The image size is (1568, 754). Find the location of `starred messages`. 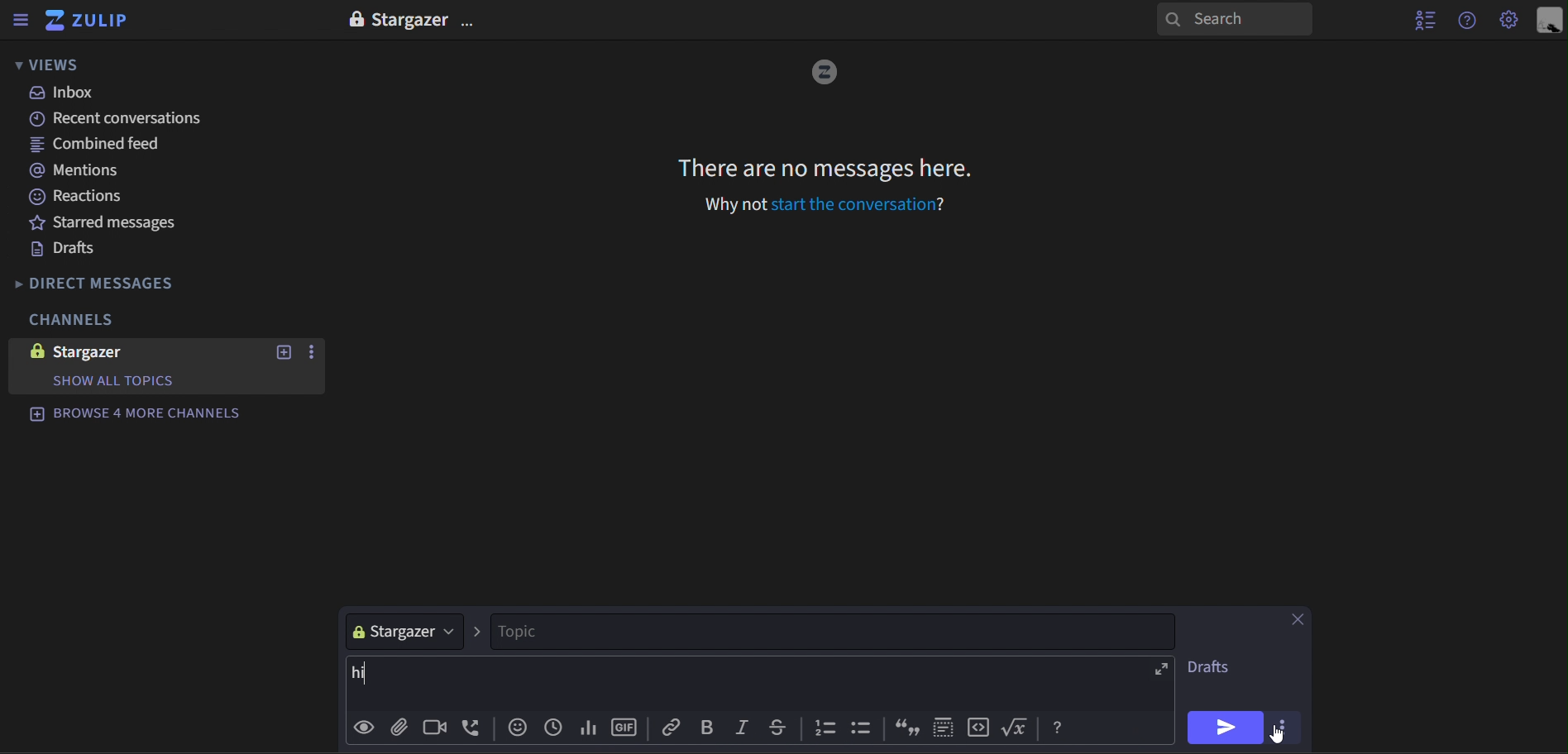

starred messages is located at coordinates (111, 224).